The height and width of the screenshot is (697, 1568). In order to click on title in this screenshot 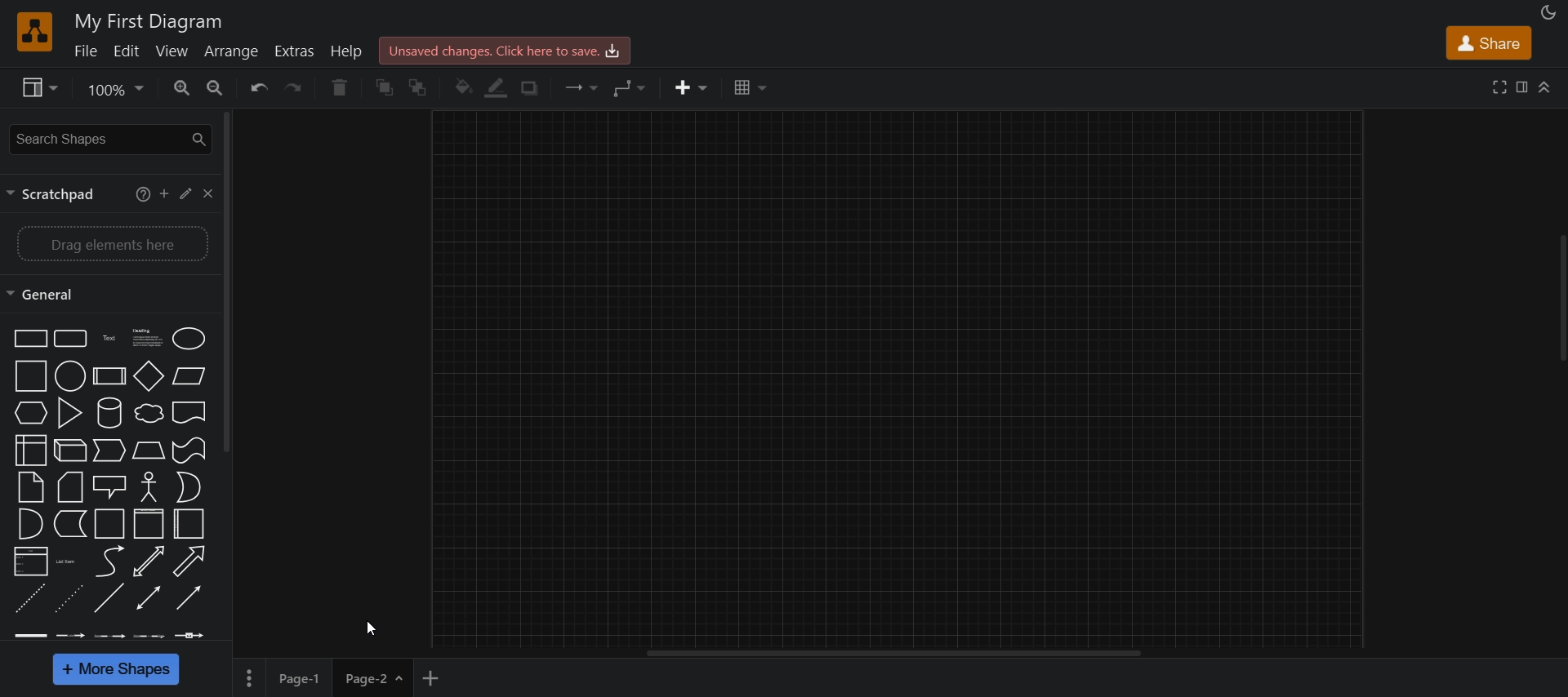, I will do `click(145, 23)`.